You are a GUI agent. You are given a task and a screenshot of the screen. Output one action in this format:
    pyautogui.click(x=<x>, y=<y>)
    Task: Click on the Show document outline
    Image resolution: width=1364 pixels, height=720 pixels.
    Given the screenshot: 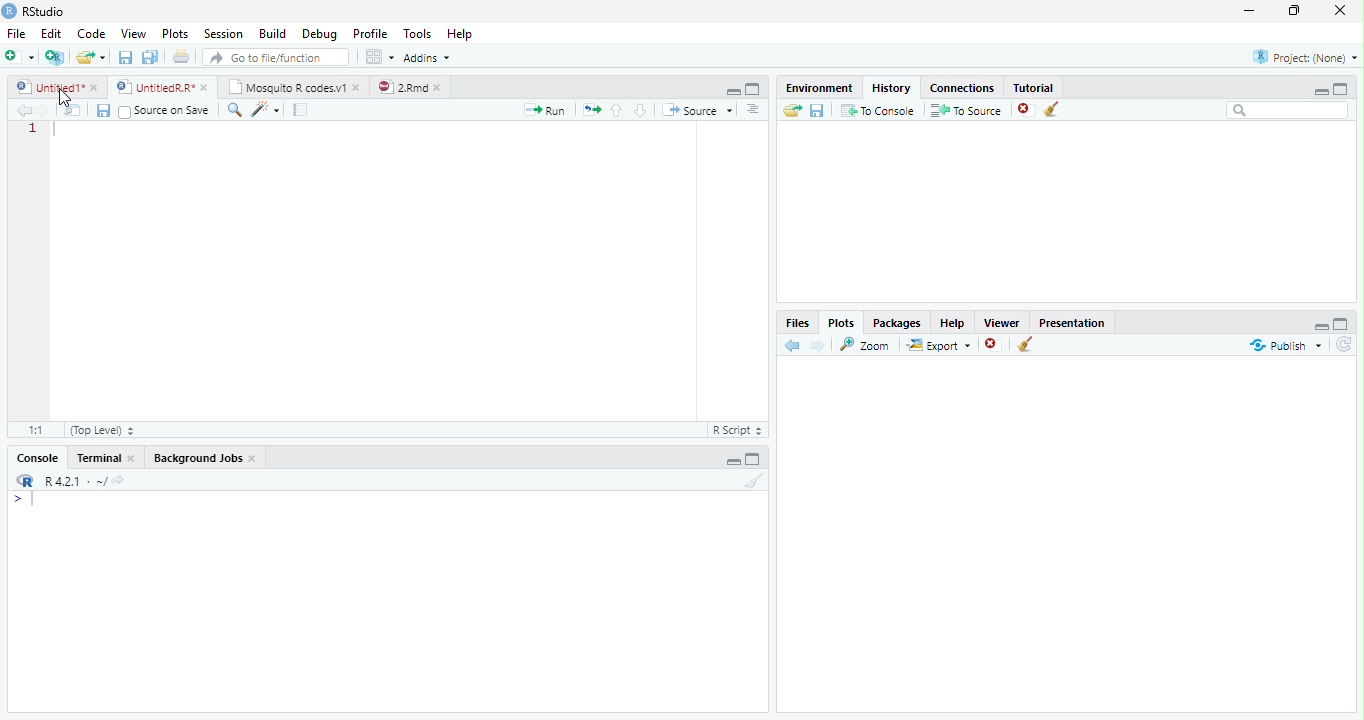 What is the action you would take?
    pyautogui.click(x=753, y=111)
    